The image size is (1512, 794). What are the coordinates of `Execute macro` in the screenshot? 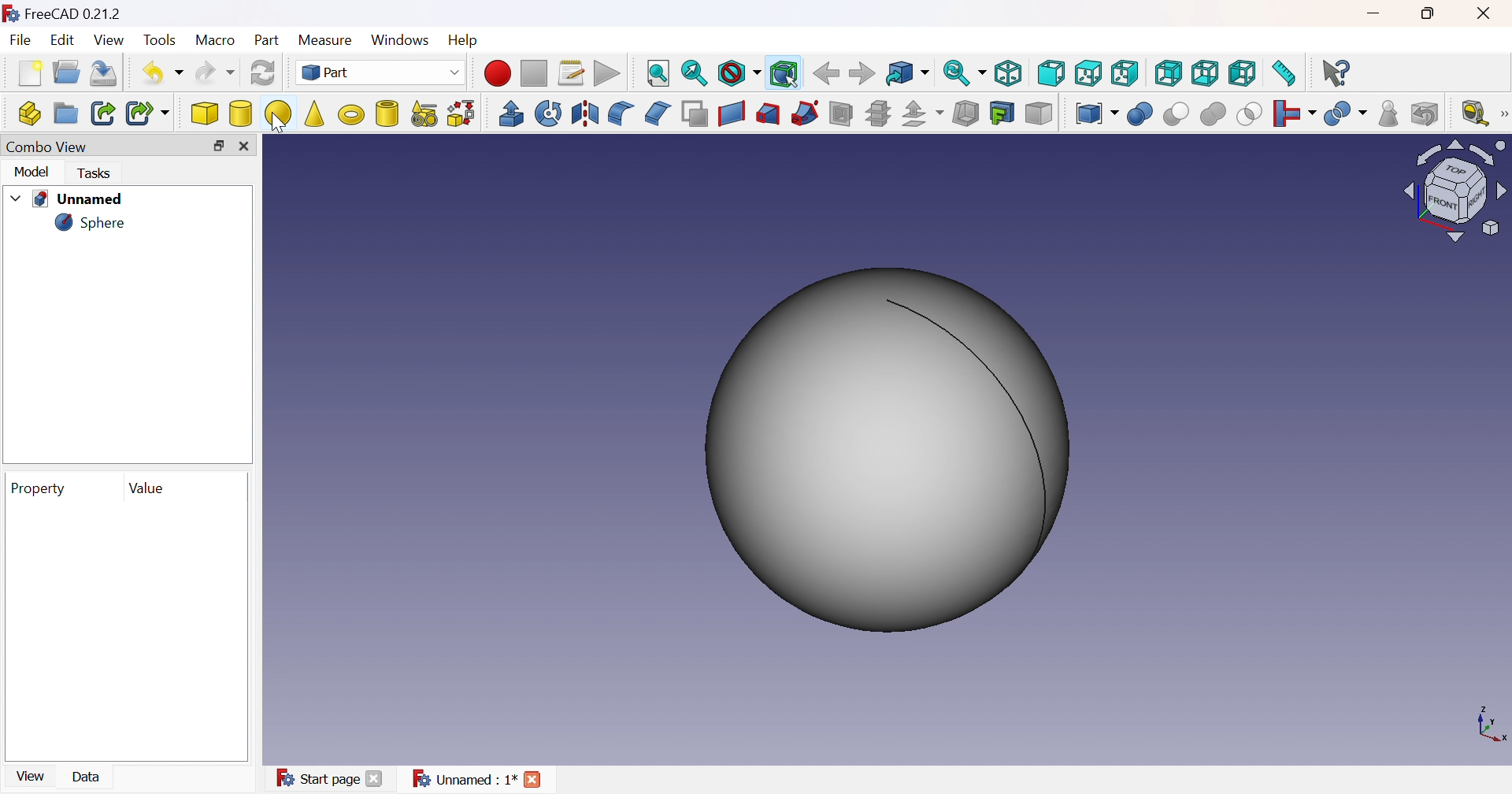 It's located at (607, 74).